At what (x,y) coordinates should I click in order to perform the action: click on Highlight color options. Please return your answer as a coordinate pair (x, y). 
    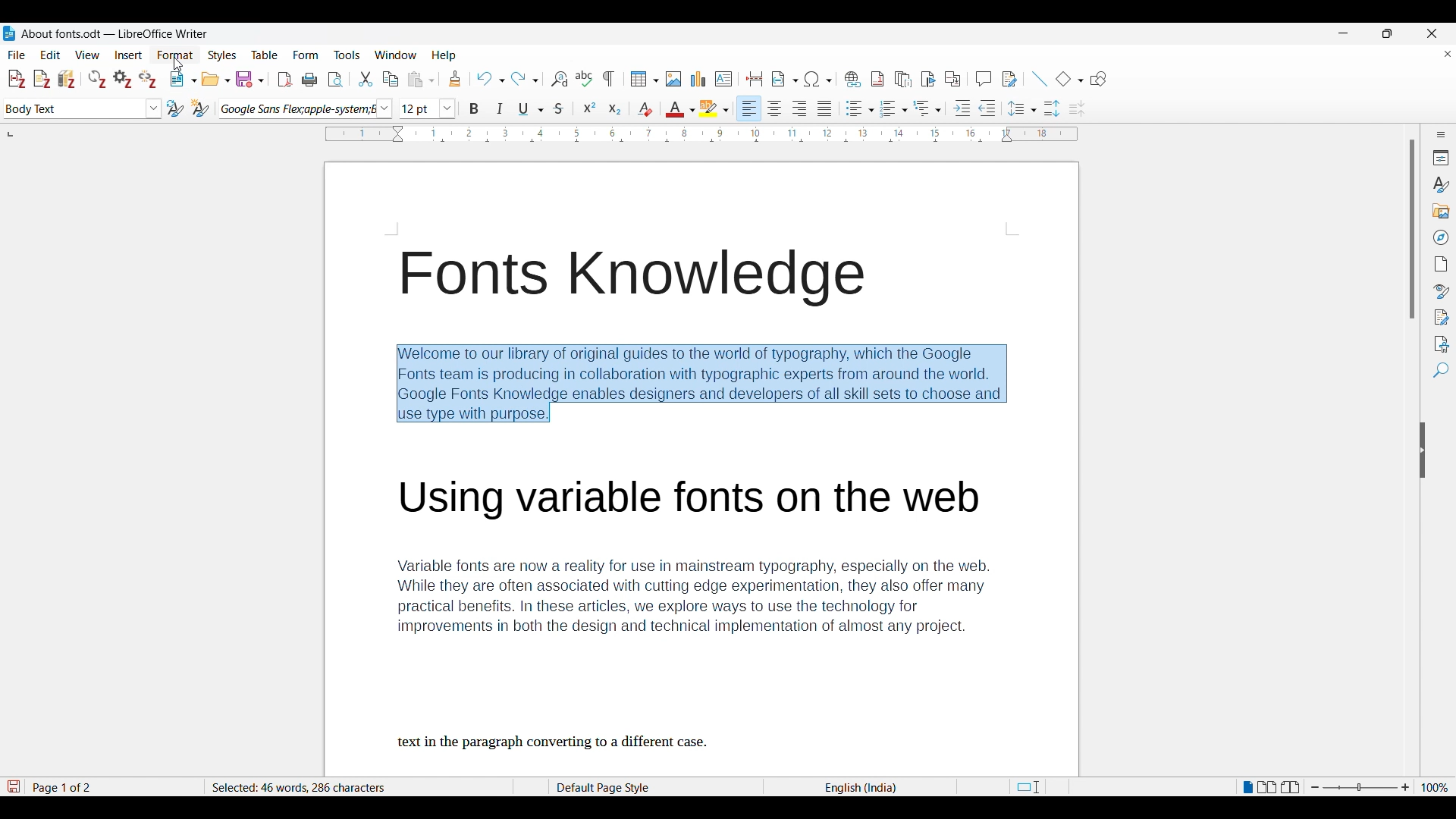
    Looking at the image, I should click on (714, 108).